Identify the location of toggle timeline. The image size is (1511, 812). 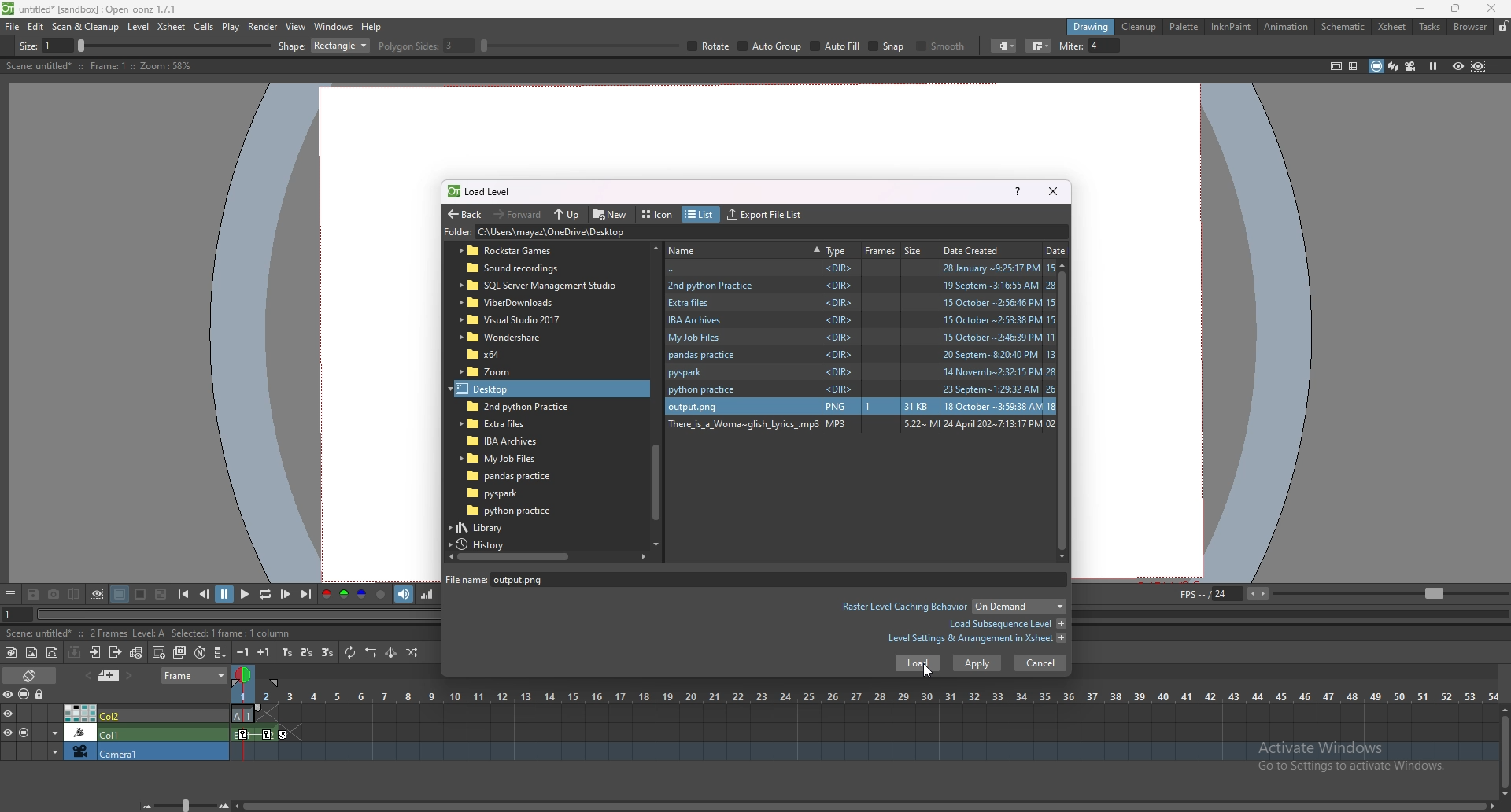
(31, 674).